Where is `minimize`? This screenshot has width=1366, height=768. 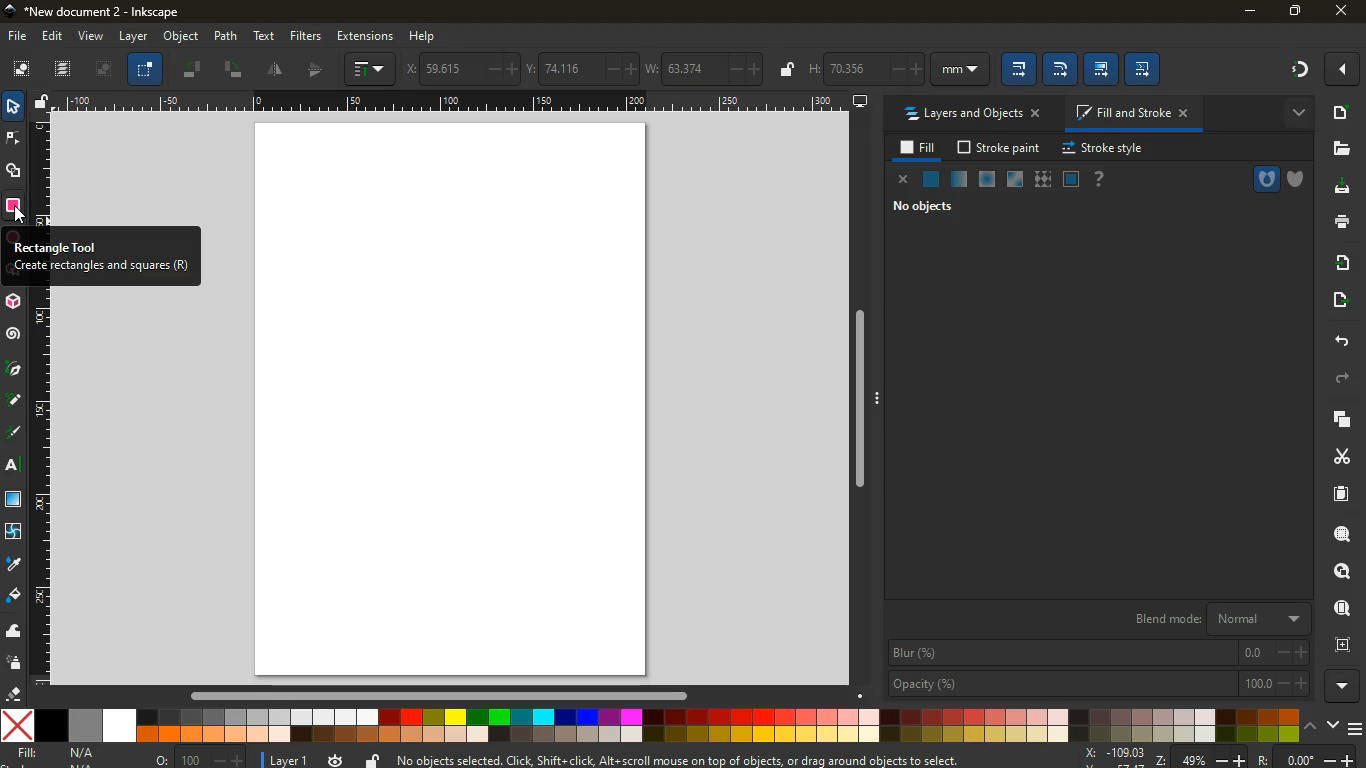 minimize is located at coordinates (1248, 12).